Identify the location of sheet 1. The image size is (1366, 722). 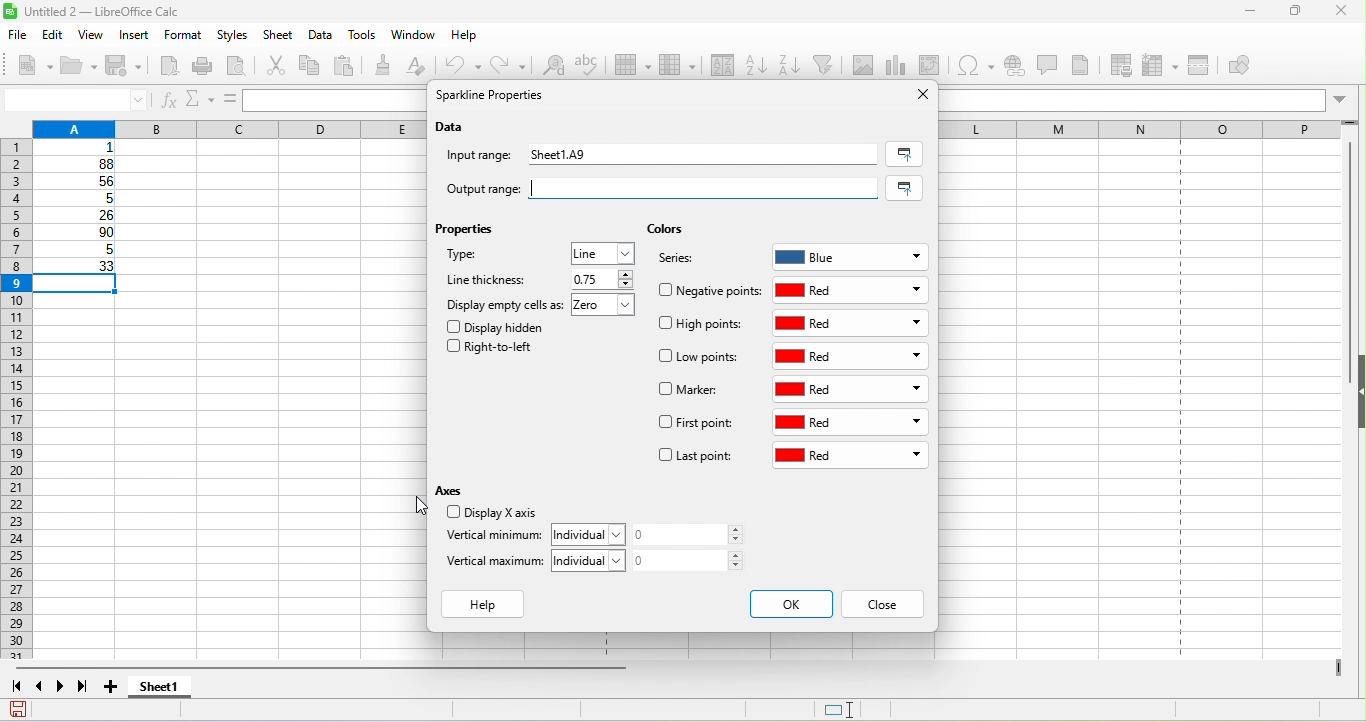
(176, 689).